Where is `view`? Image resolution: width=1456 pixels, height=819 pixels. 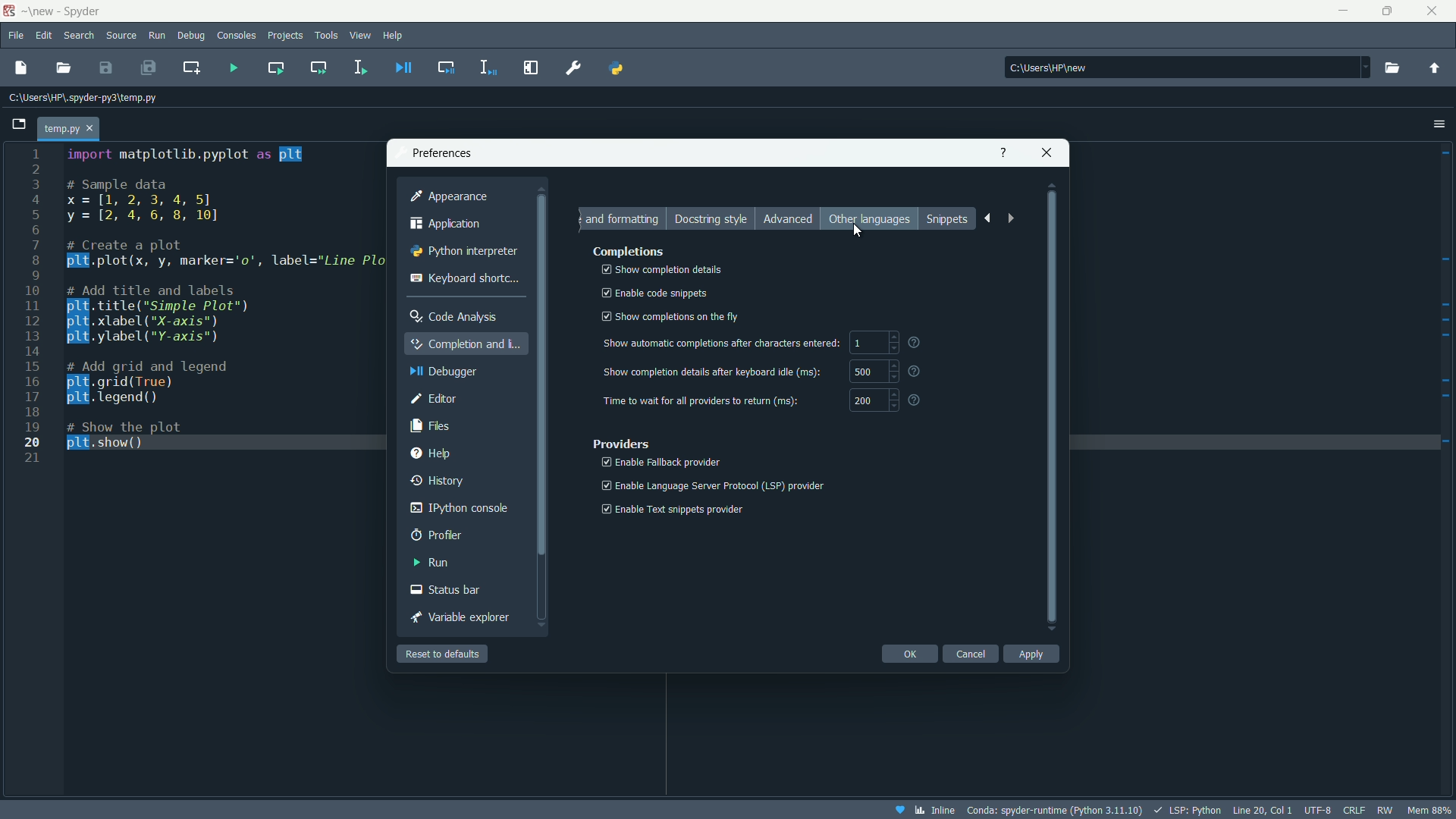 view is located at coordinates (361, 35).